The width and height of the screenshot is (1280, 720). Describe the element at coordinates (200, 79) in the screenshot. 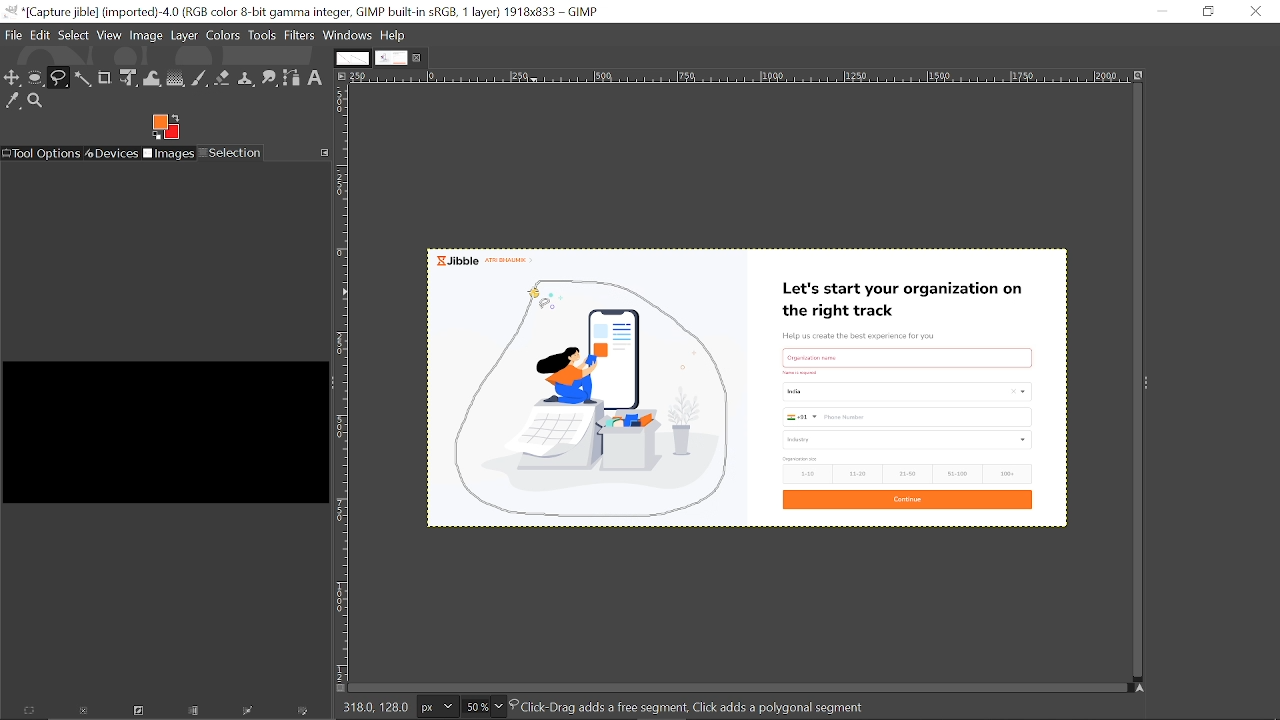

I see `Paintbrush tool` at that location.